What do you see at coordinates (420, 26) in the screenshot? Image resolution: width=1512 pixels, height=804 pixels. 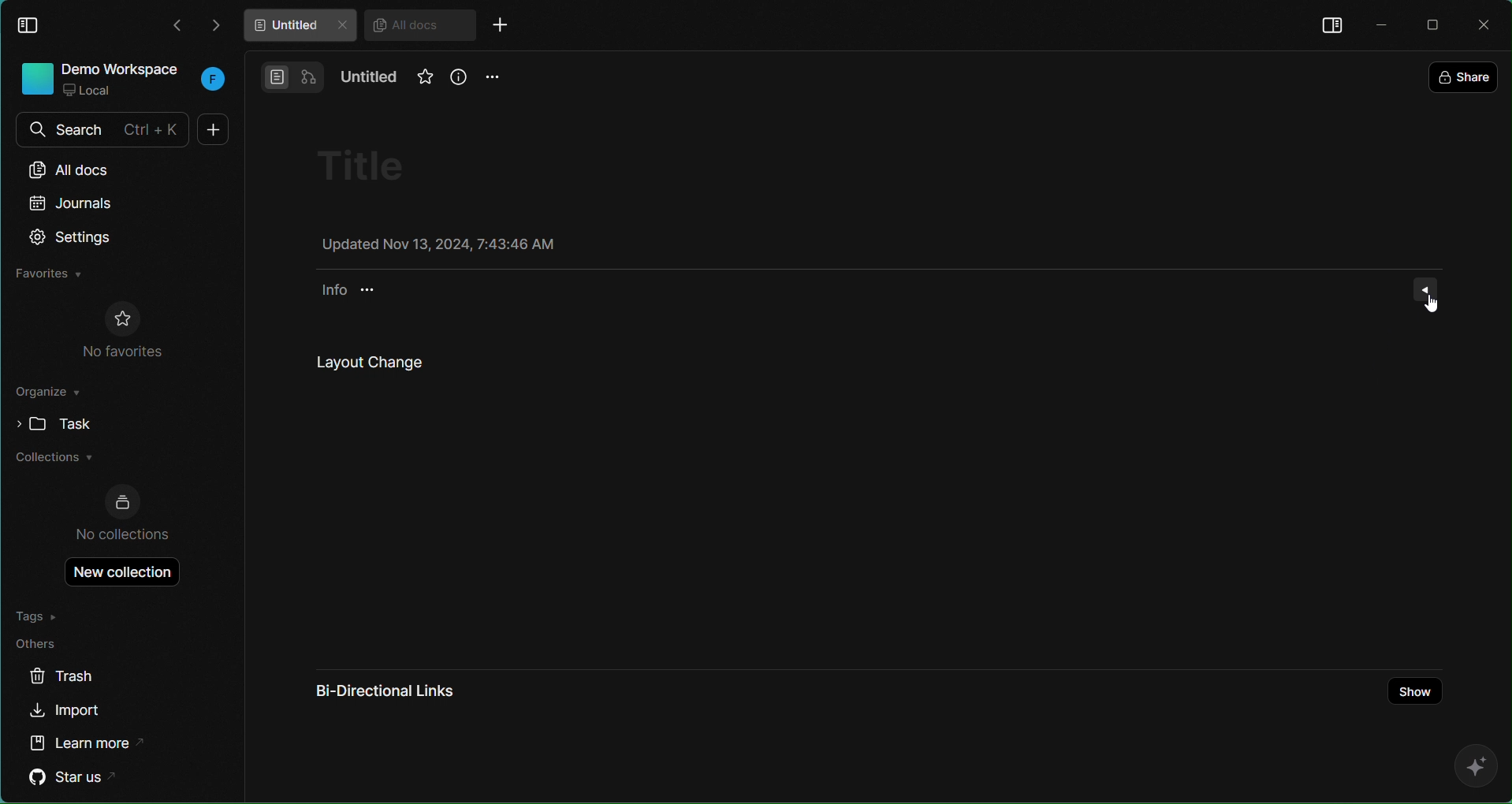 I see `@ All docs` at bounding box center [420, 26].